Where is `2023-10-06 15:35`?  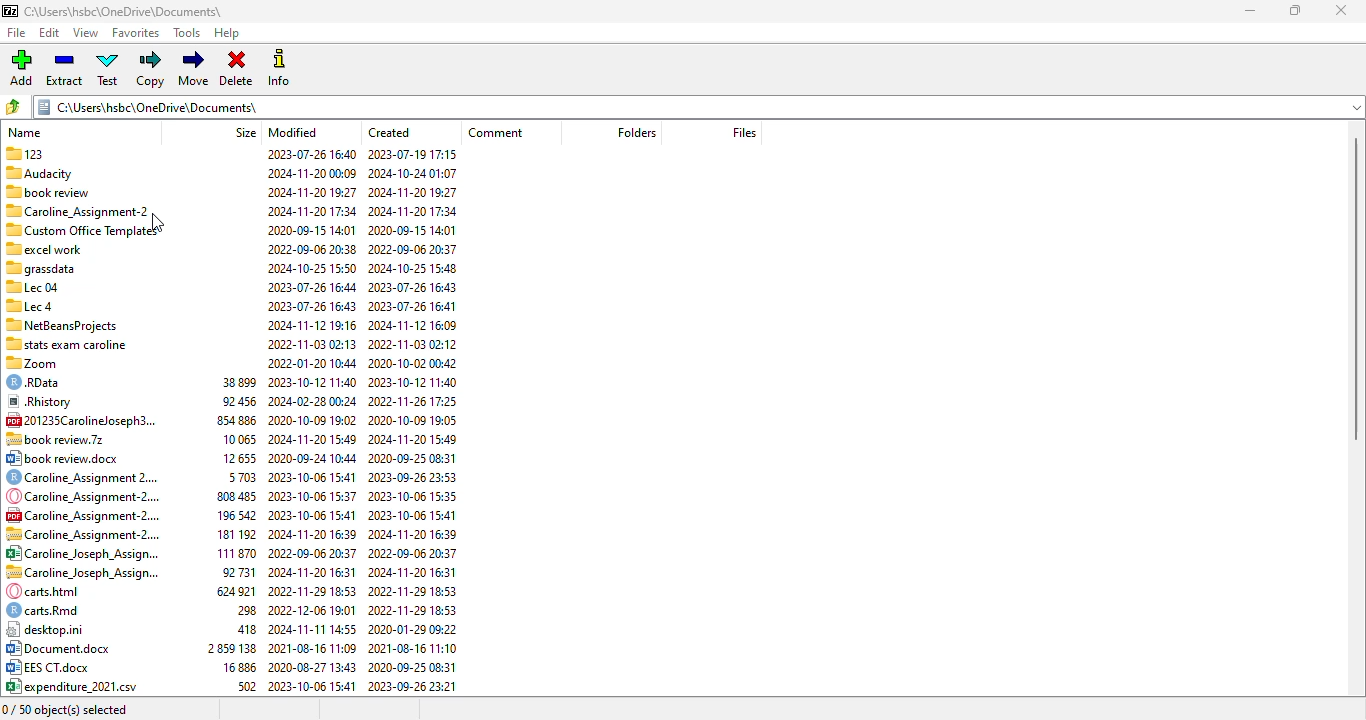
2023-10-06 15:35 is located at coordinates (417, 495).